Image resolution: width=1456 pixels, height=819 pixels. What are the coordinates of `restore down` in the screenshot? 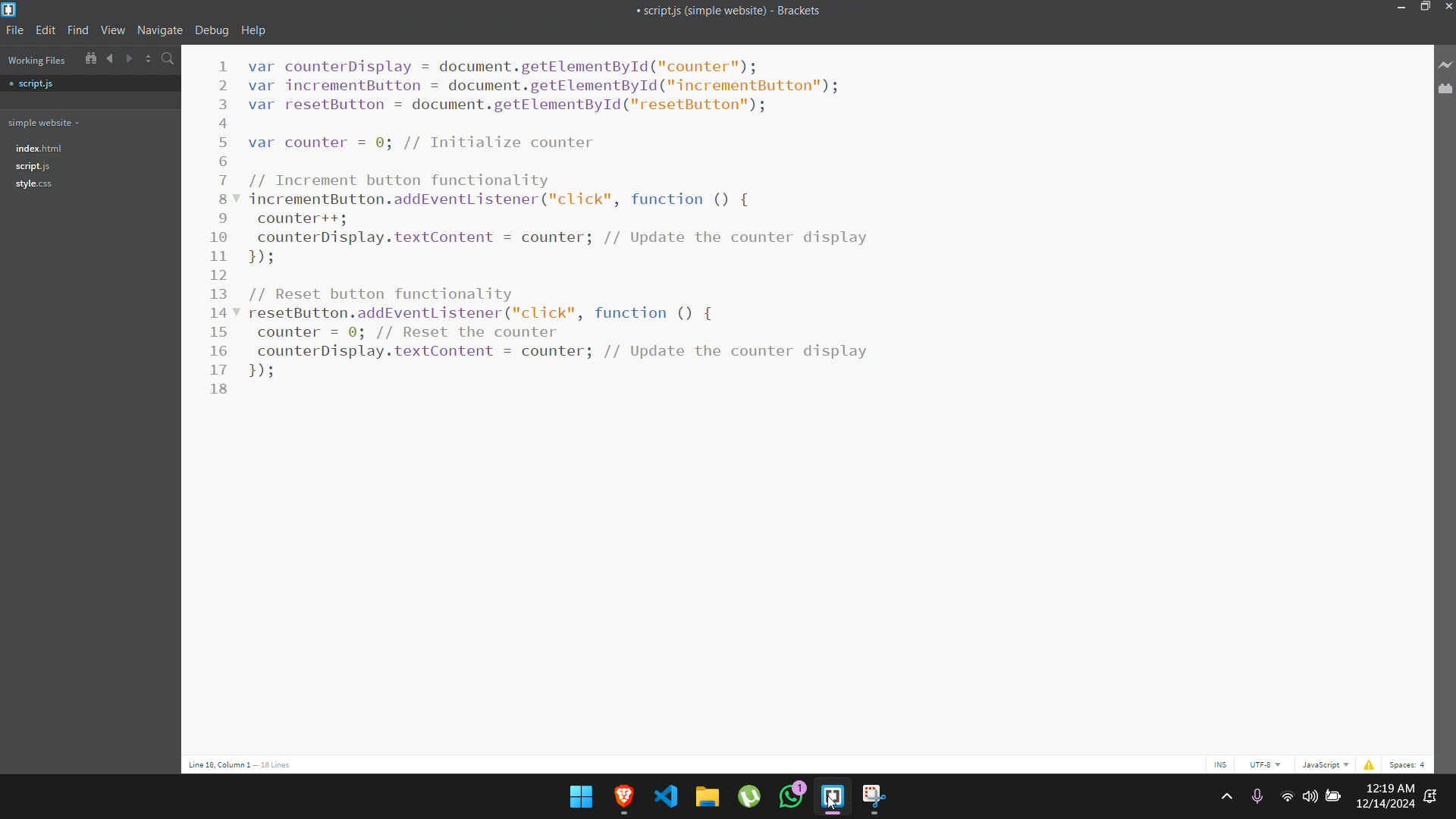 It's located at (1424, 6).